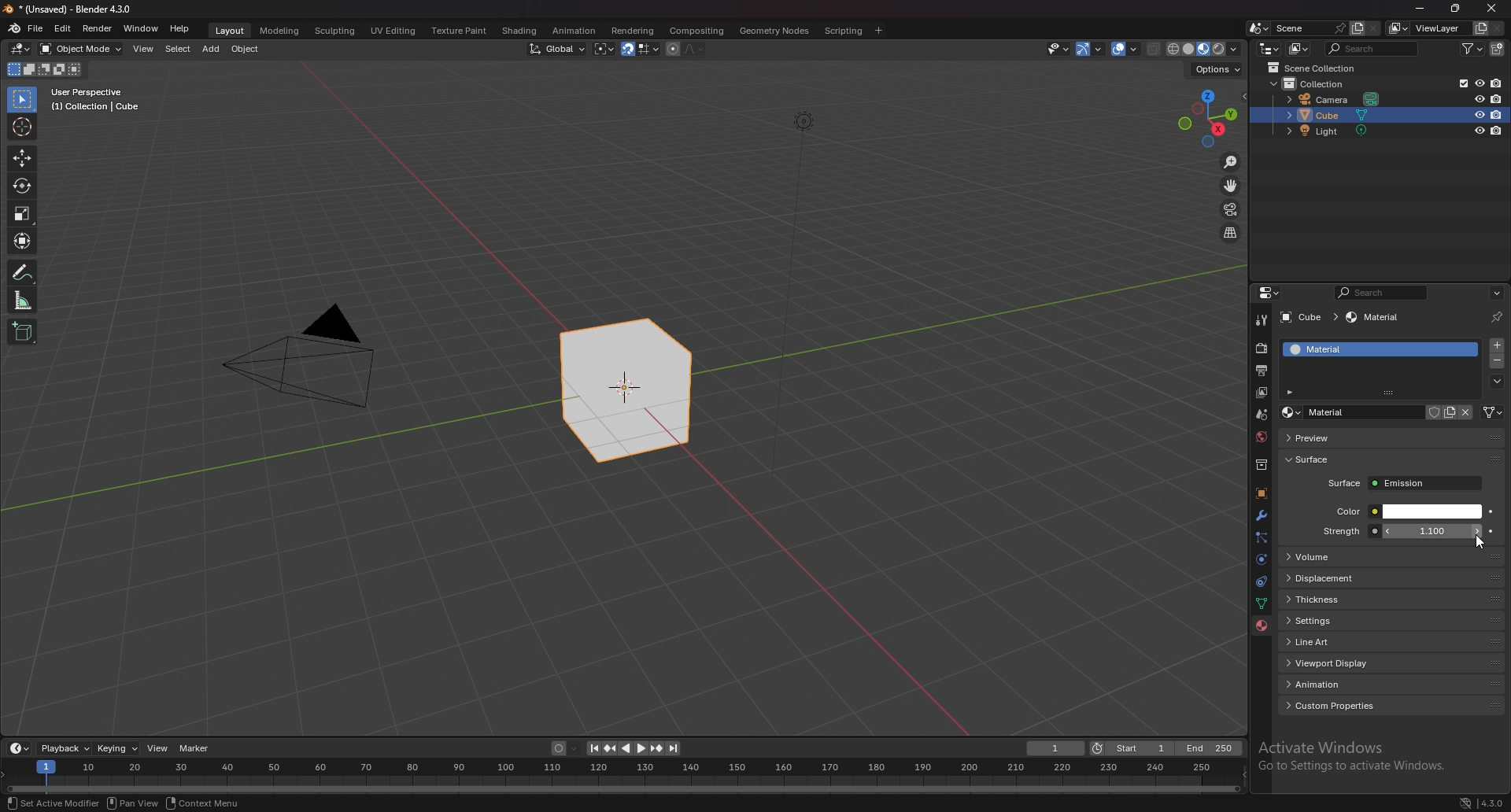 This screenshot has height=812, width=1511. What do you see at coordinates (1497, 98) in the screenshot?
I see `disable in renders` at bounding box center [1497, 98].